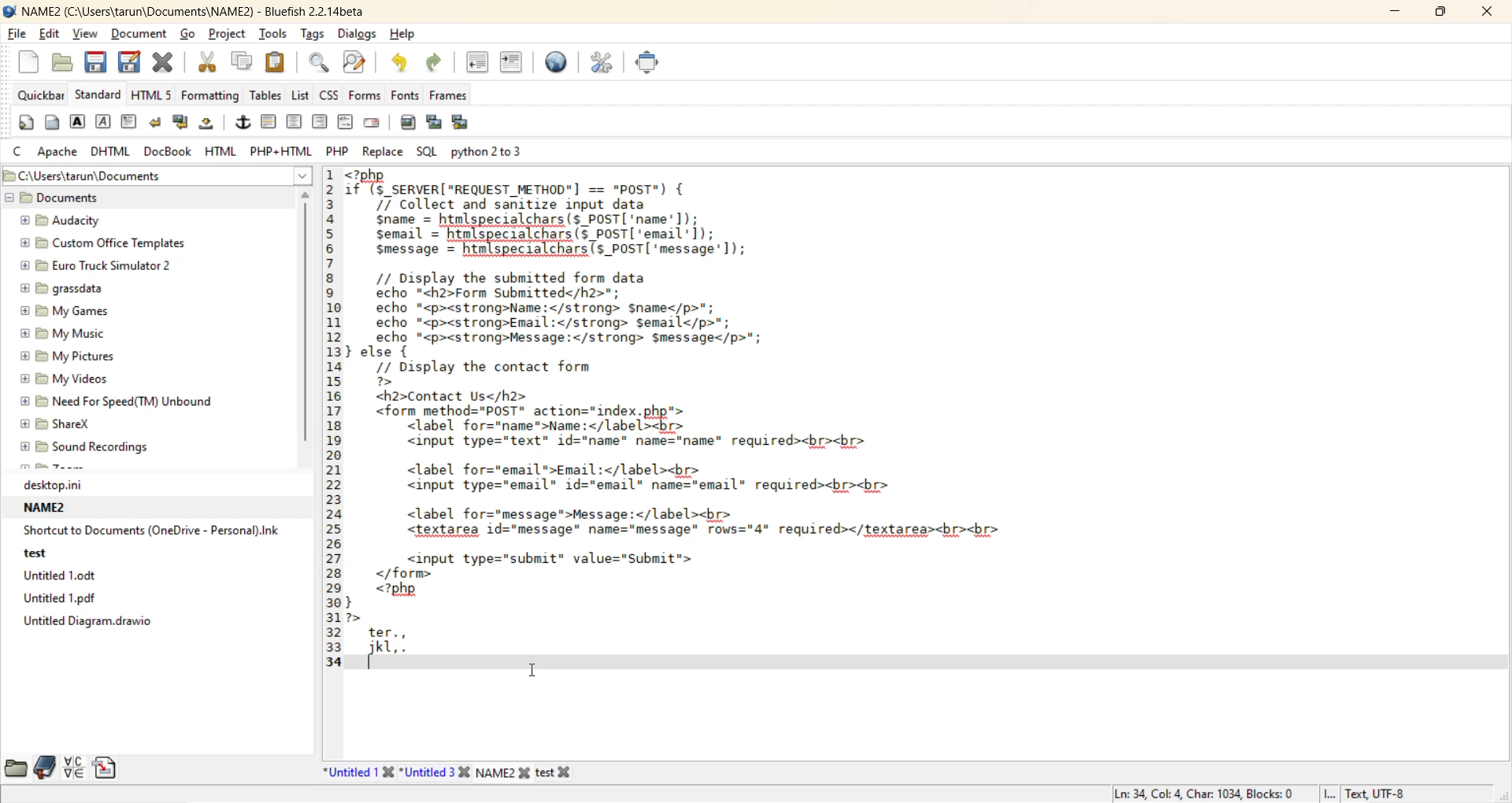 This screenshot has height=803, width=1512. I want to click on docbook, so click(171, 151).